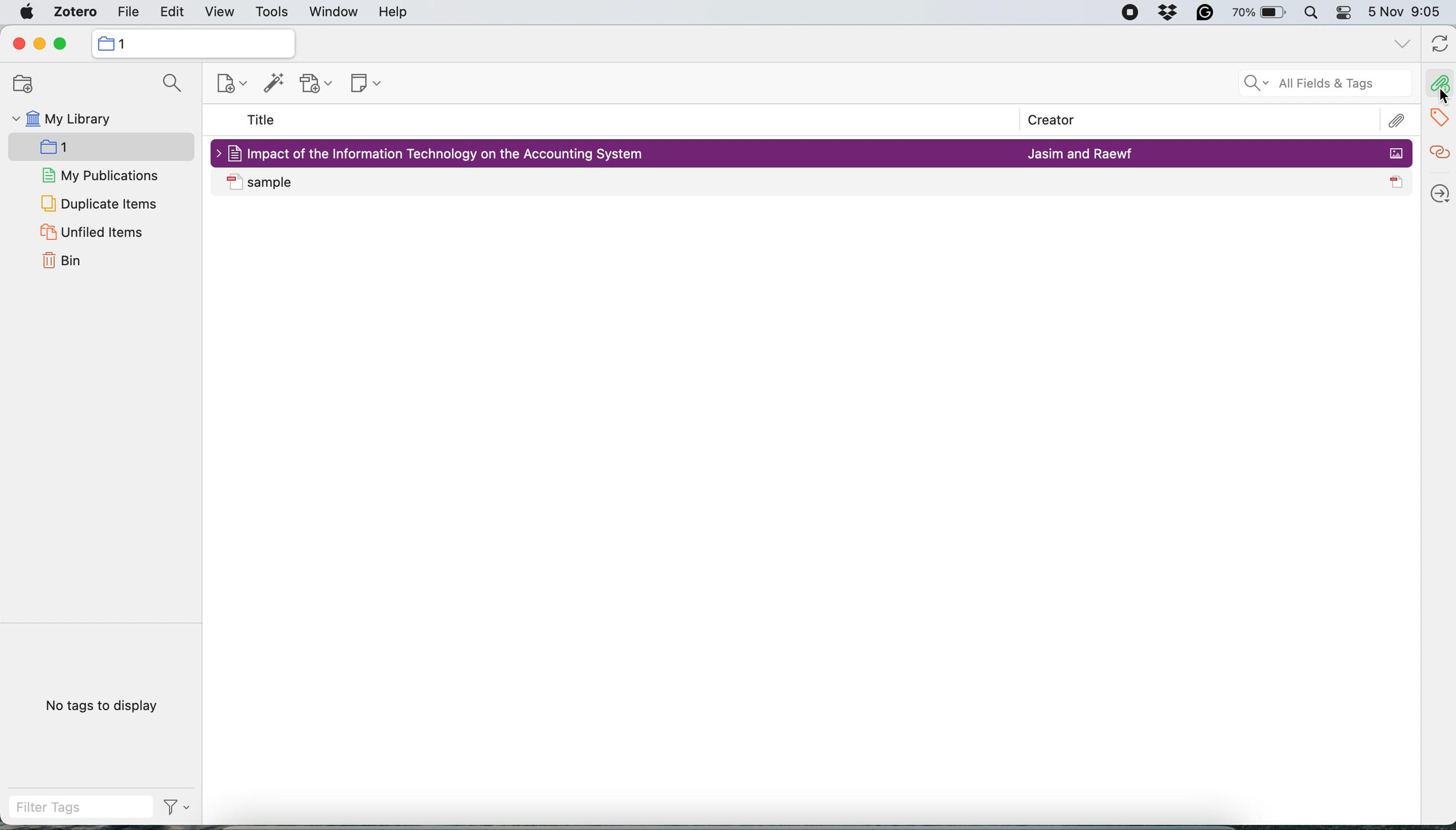  I want to click on my library, so click(60, 121).